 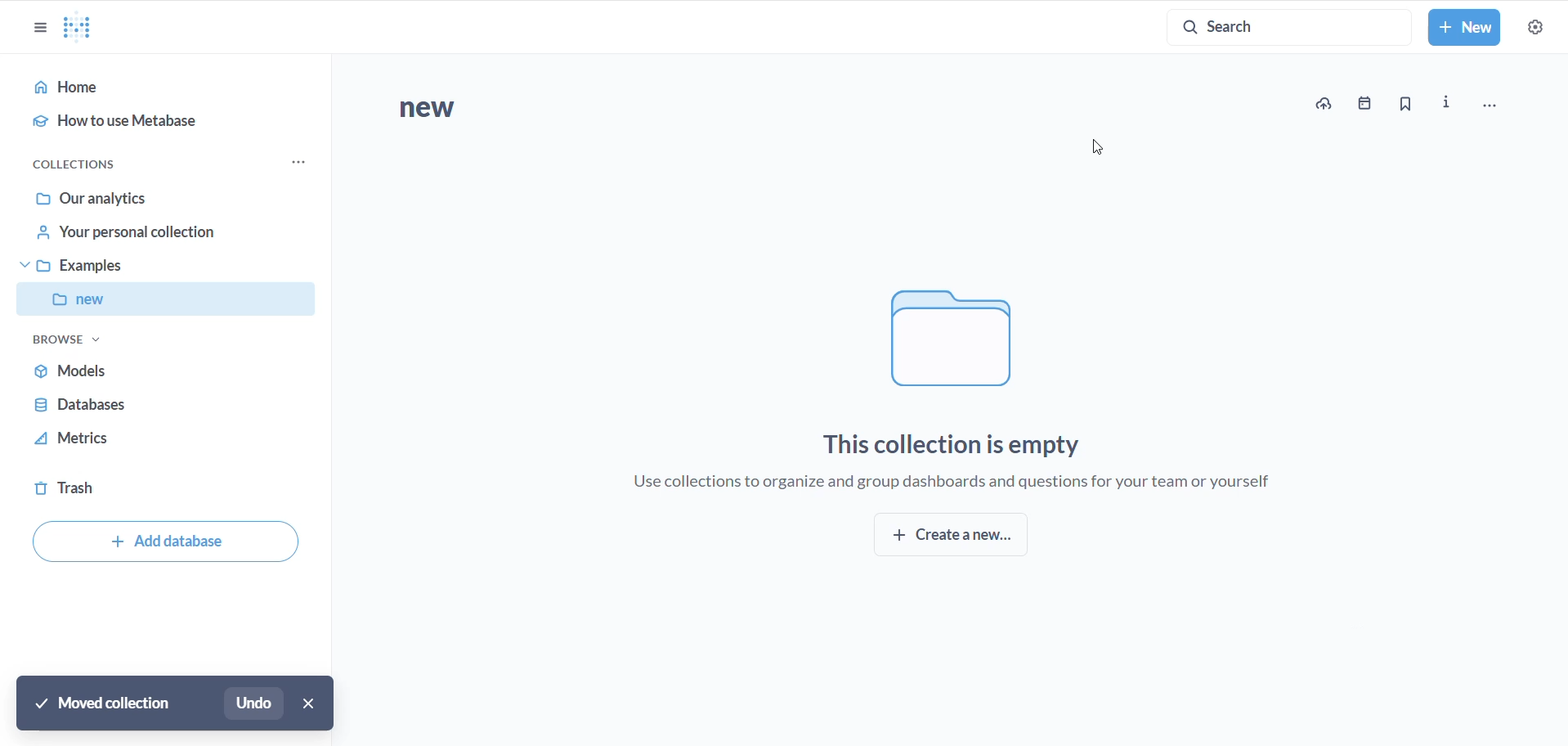 What do you see at coordinates (155, 125) in the screenshot?
I see `how to use metabase` at bounding box center [155, 125].